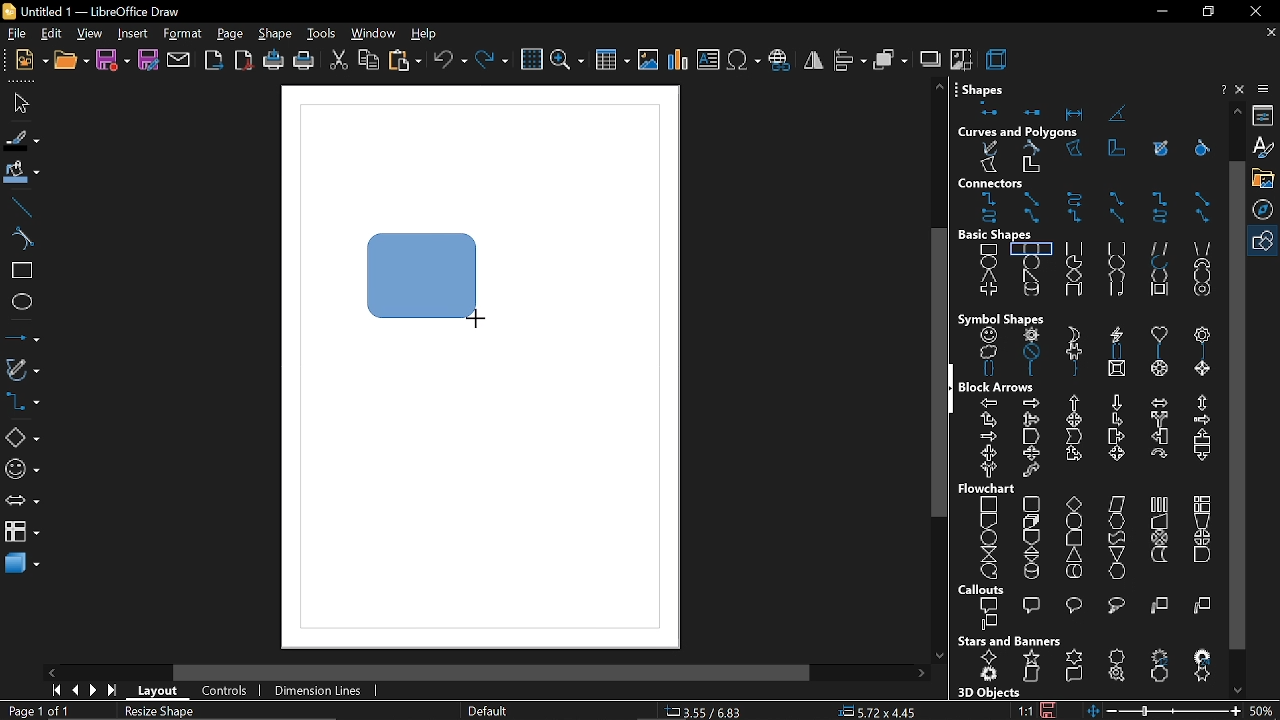 This screenshot has height=720, width=1280. What do you see at coordinates (1086, 538) in the screenshot?
I see `flowchart` at bounding box center [1086, 538].